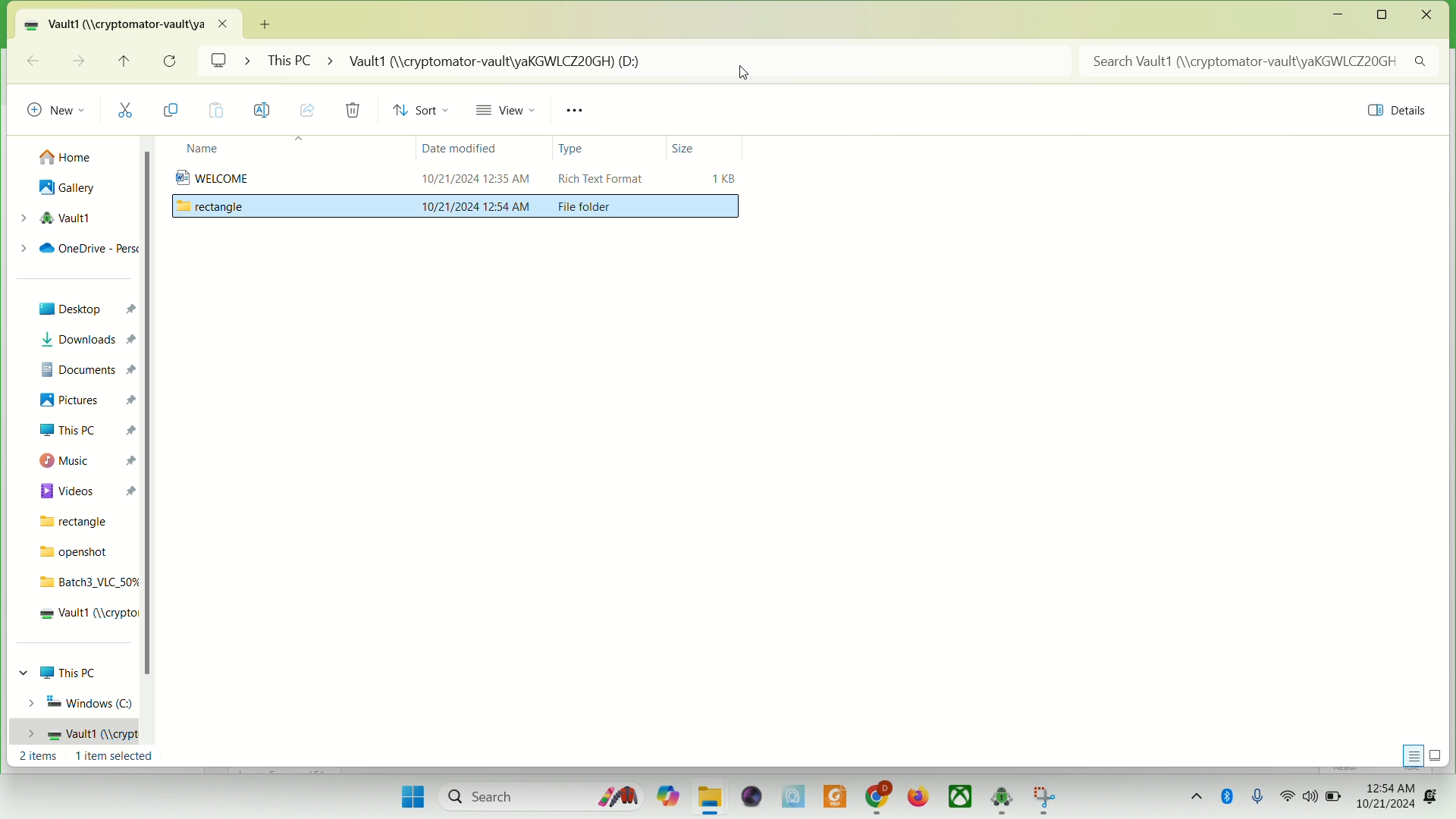 The image size is (1456, 819). Describe the element at coordinates (745, 75) in the screenshot. I see `cursor` at that location.